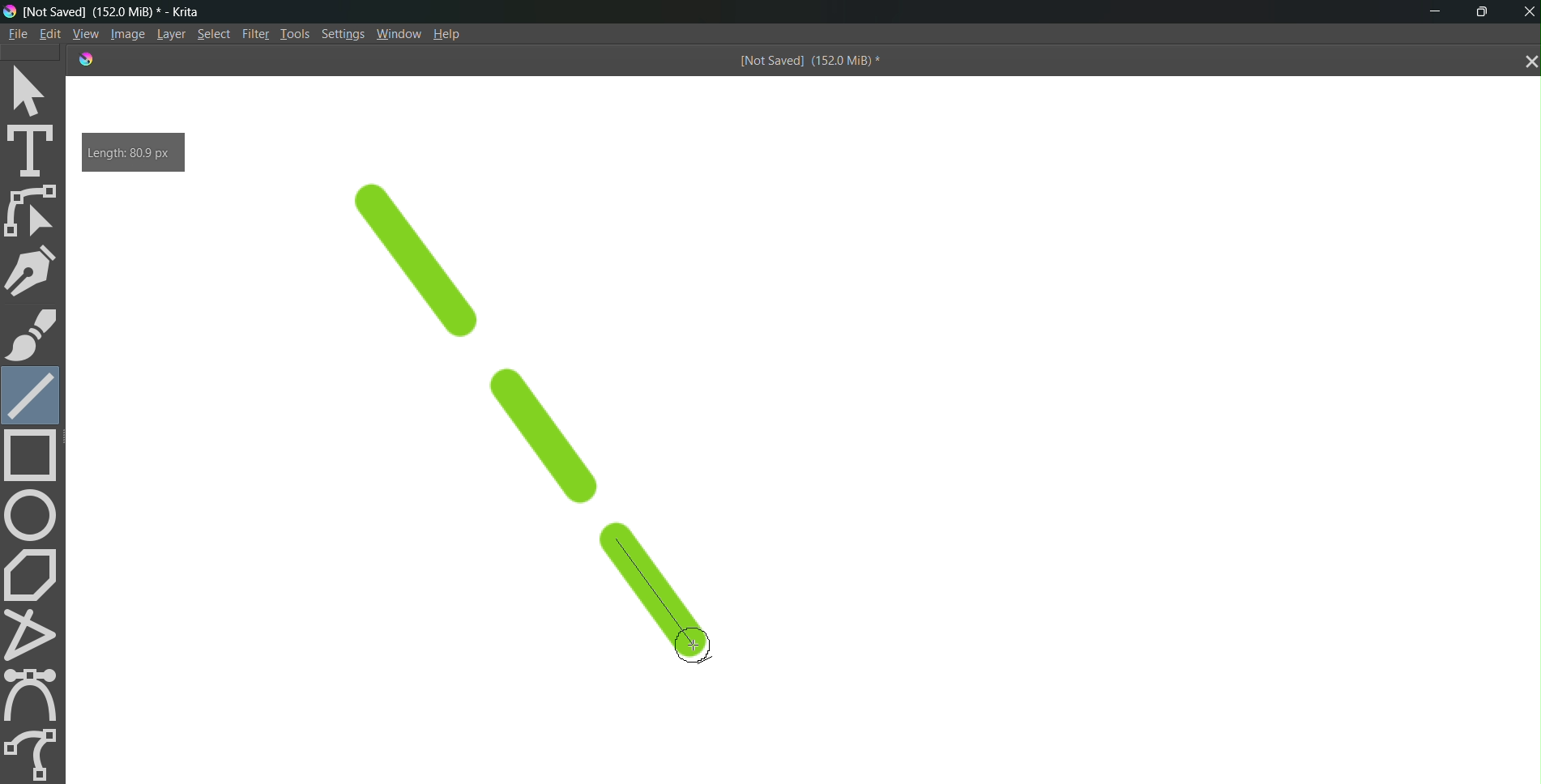 The image size is (1541, 784). What do you see at coordinates (34, 752) in the screenshot?
I see `freehand` at bounding box center [34, 752].